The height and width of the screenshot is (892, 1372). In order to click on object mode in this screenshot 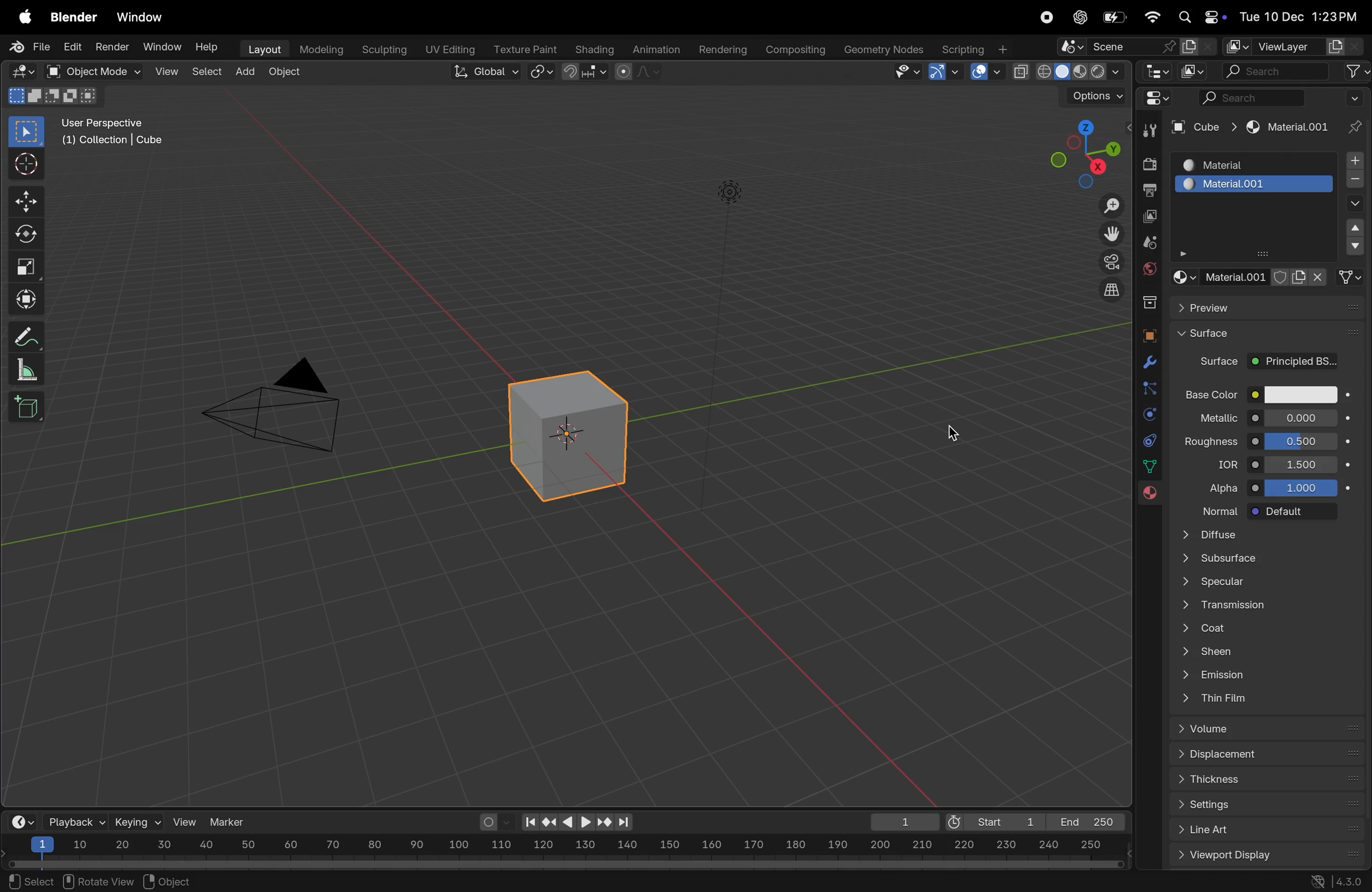, I will do `click(88, 71)`.